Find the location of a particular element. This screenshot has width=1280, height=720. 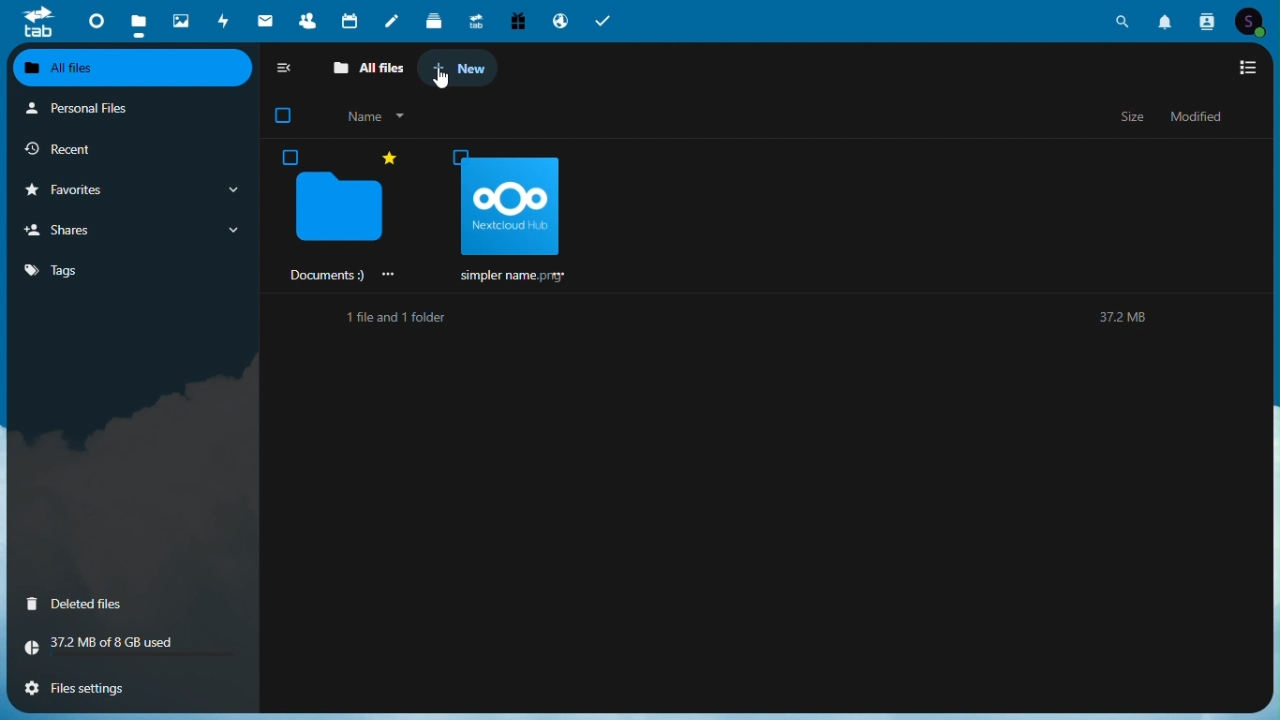

Calendar is located at coordinates (352, 19).